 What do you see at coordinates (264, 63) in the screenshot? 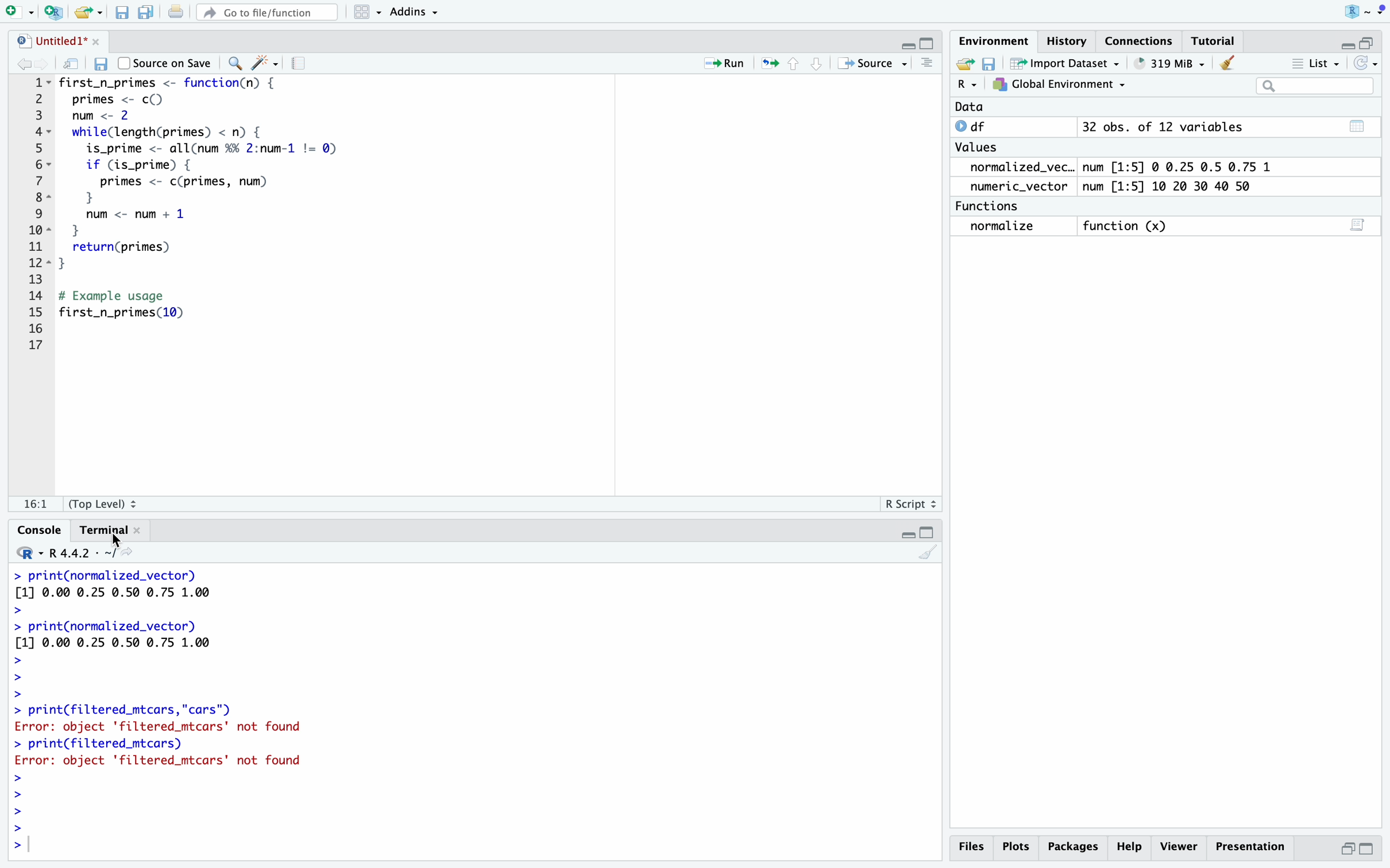
I see `code tools` at bounding box center [264, 63].